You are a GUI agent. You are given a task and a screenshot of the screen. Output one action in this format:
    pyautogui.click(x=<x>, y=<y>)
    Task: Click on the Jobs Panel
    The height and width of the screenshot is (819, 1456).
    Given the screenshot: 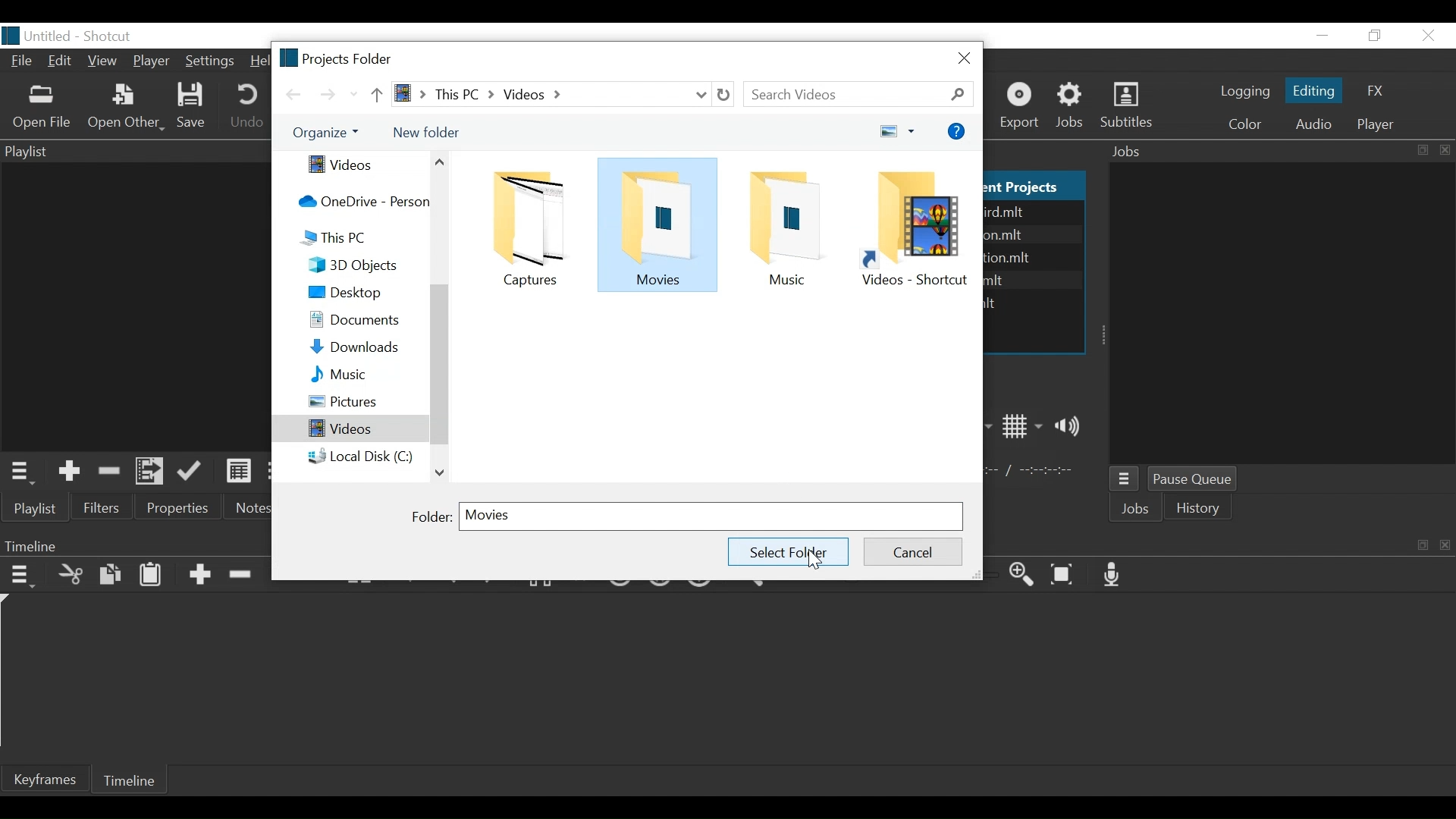 What is the action you would take?
    pyautogui.click(x=1280, y=151)
    